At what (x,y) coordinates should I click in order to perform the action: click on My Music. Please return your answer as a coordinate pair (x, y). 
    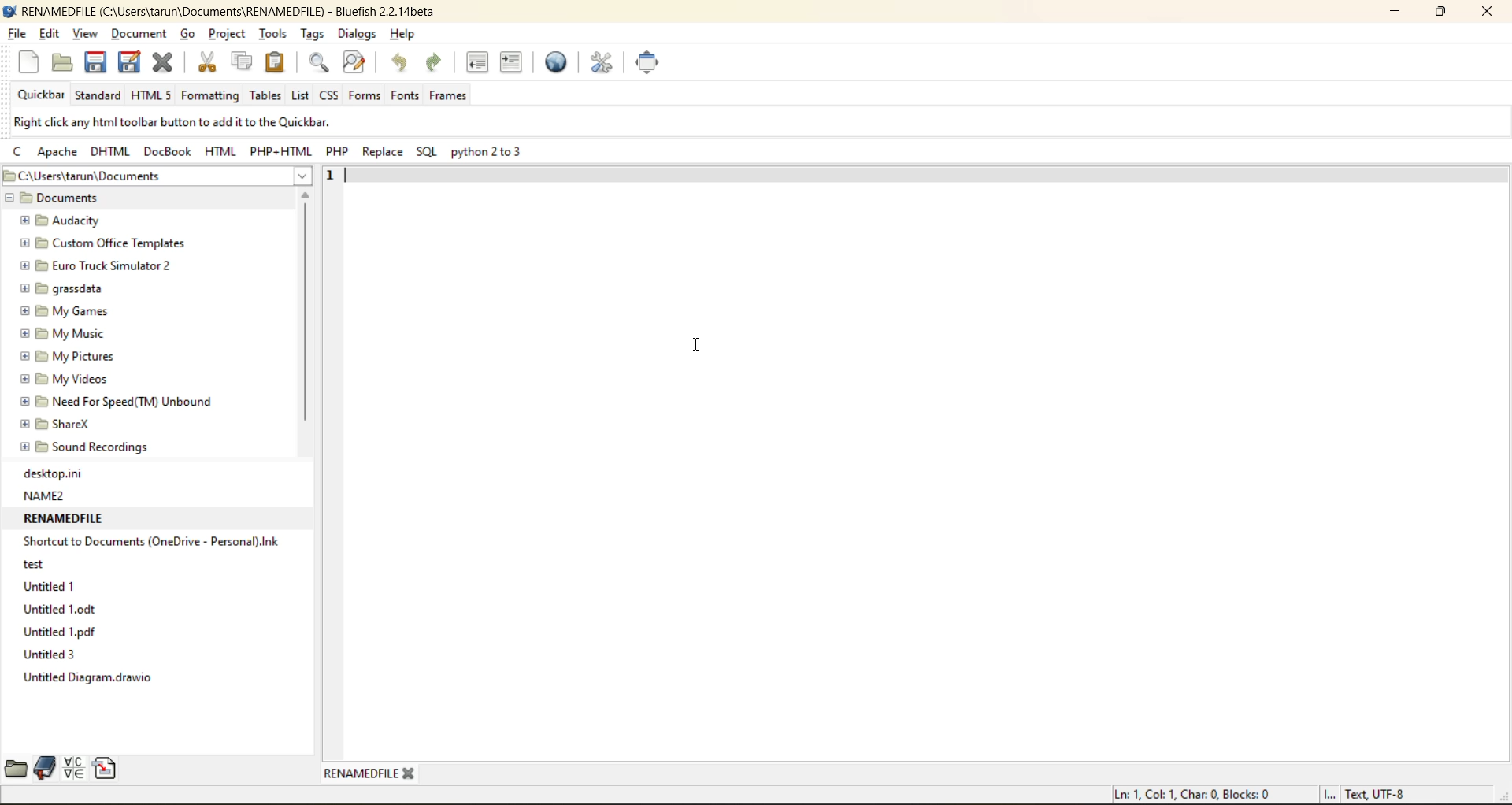
    Looking at the image, I should click on (67, 334).